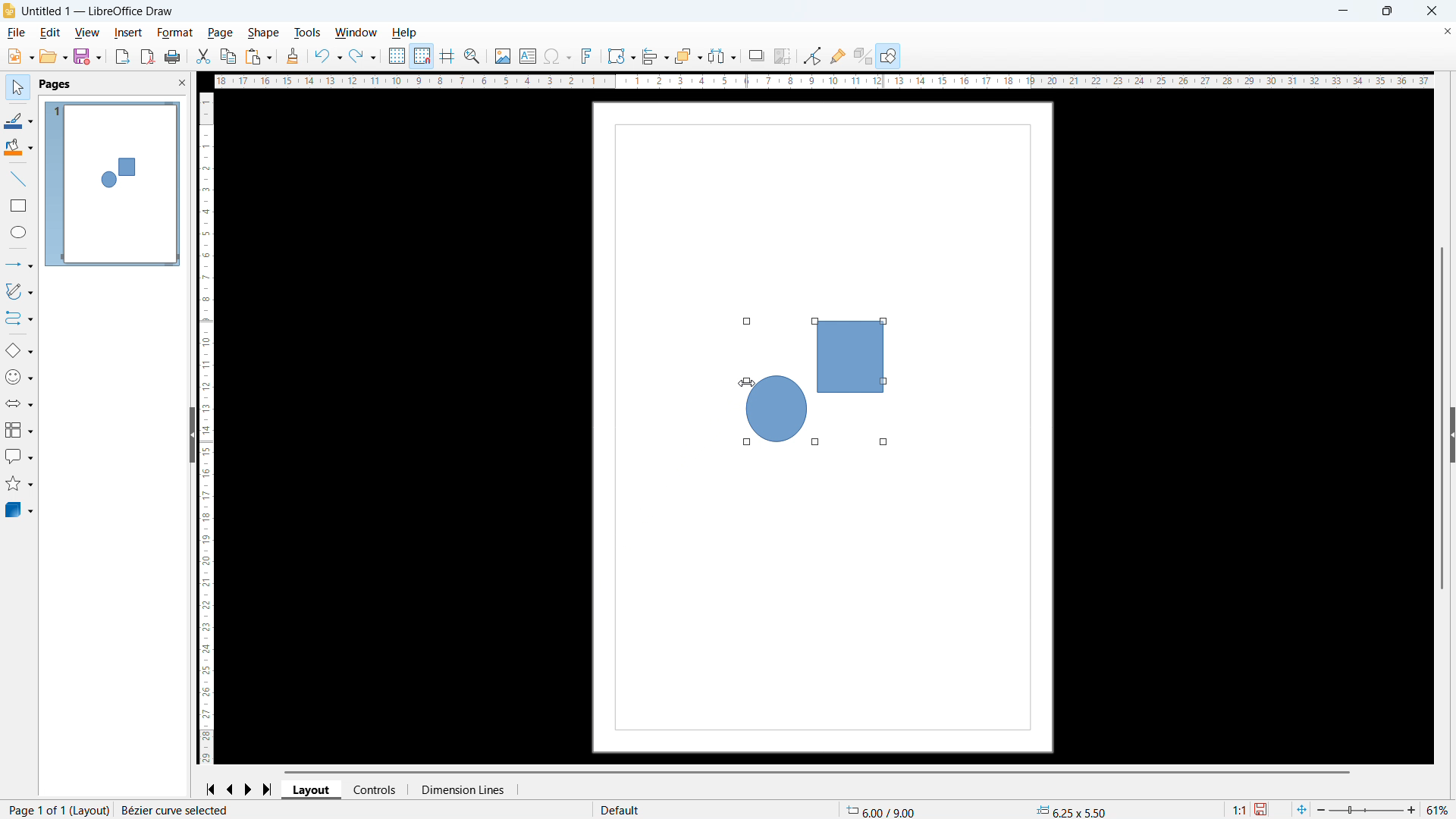  I want to click on Scaling factor , so click(1241, 810).